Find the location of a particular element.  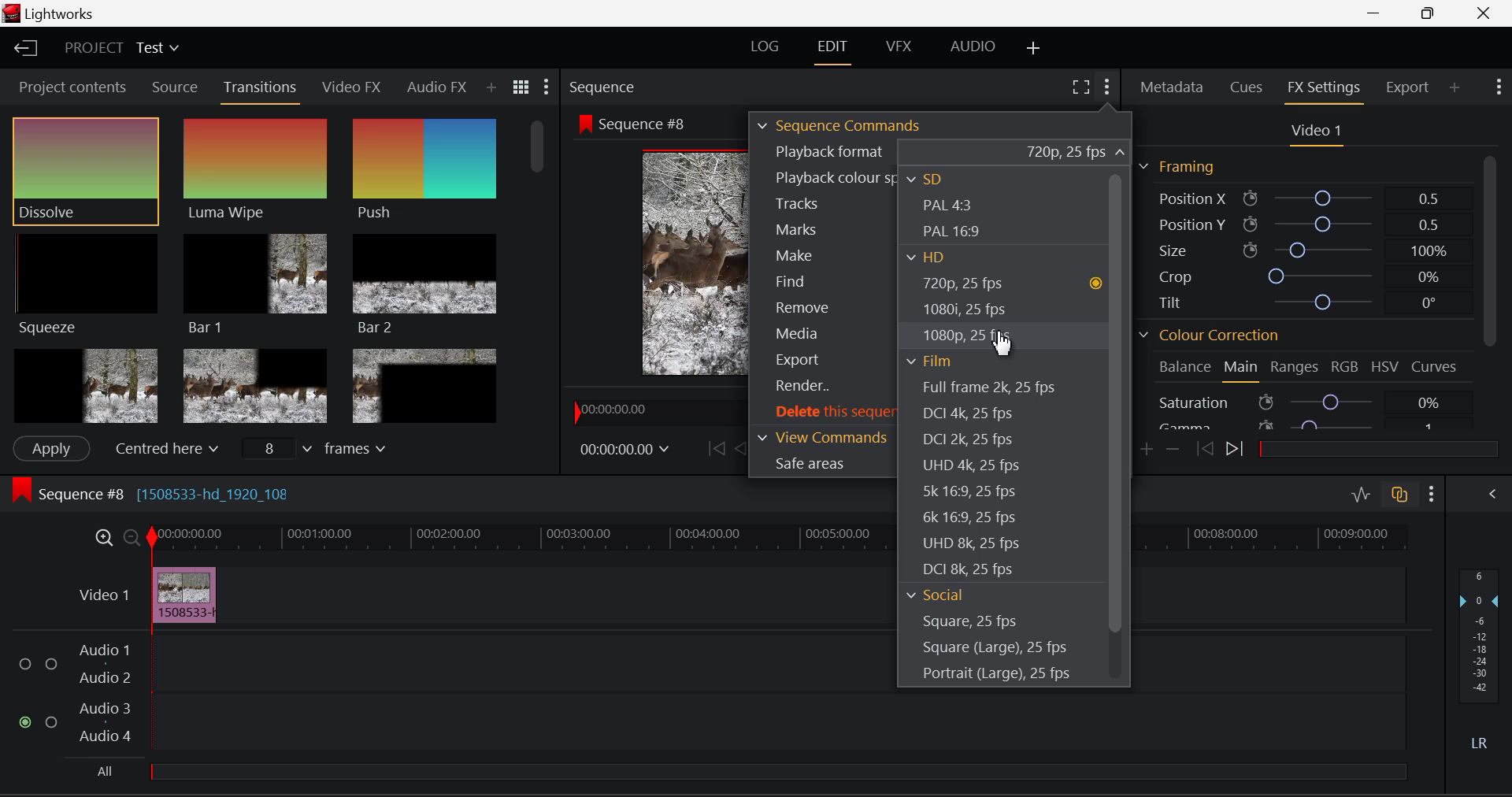

UHD 8k is located at coordinates (973, 545).